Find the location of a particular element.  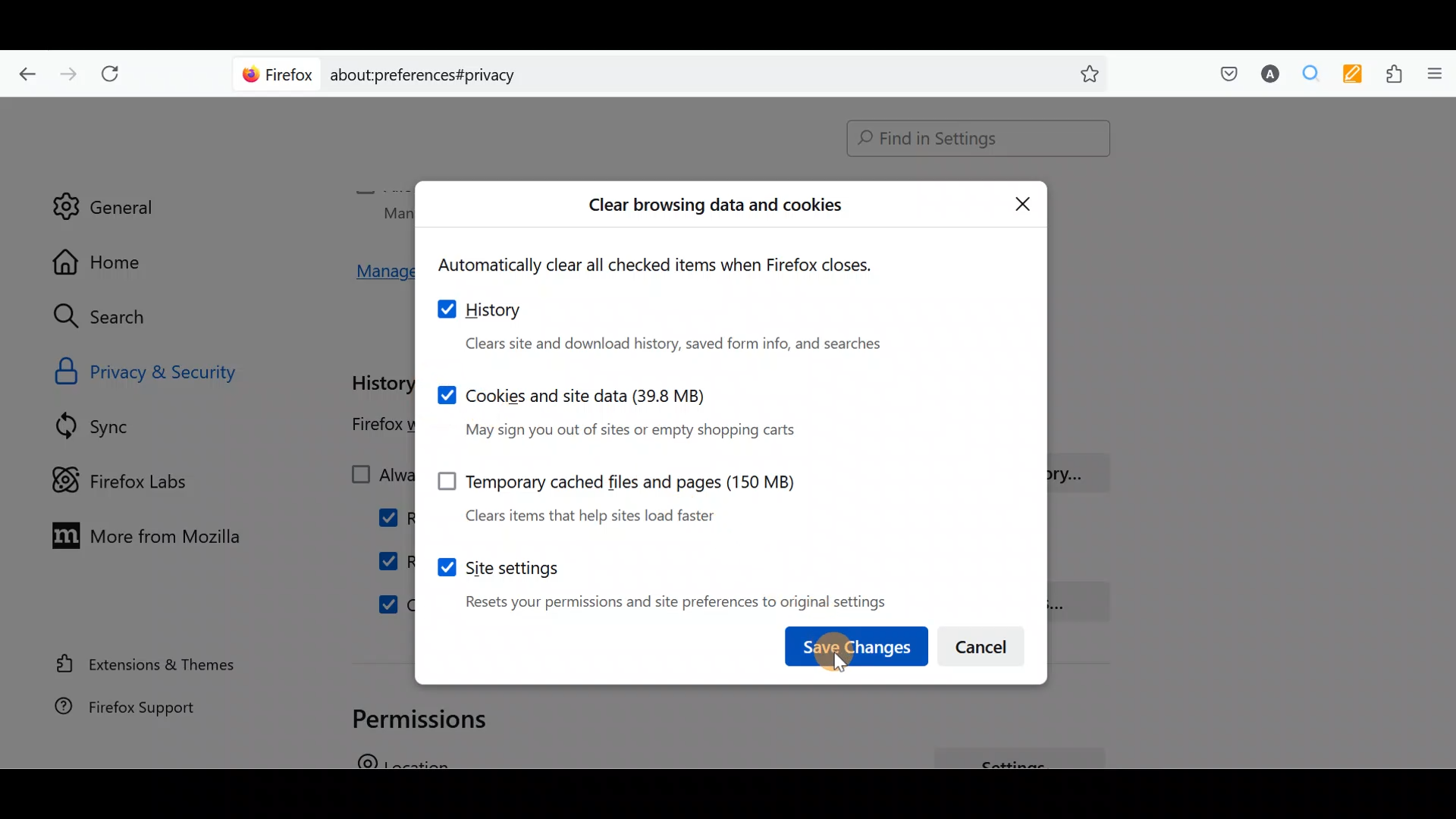

Go back one page is located at coordinates (24, 72).